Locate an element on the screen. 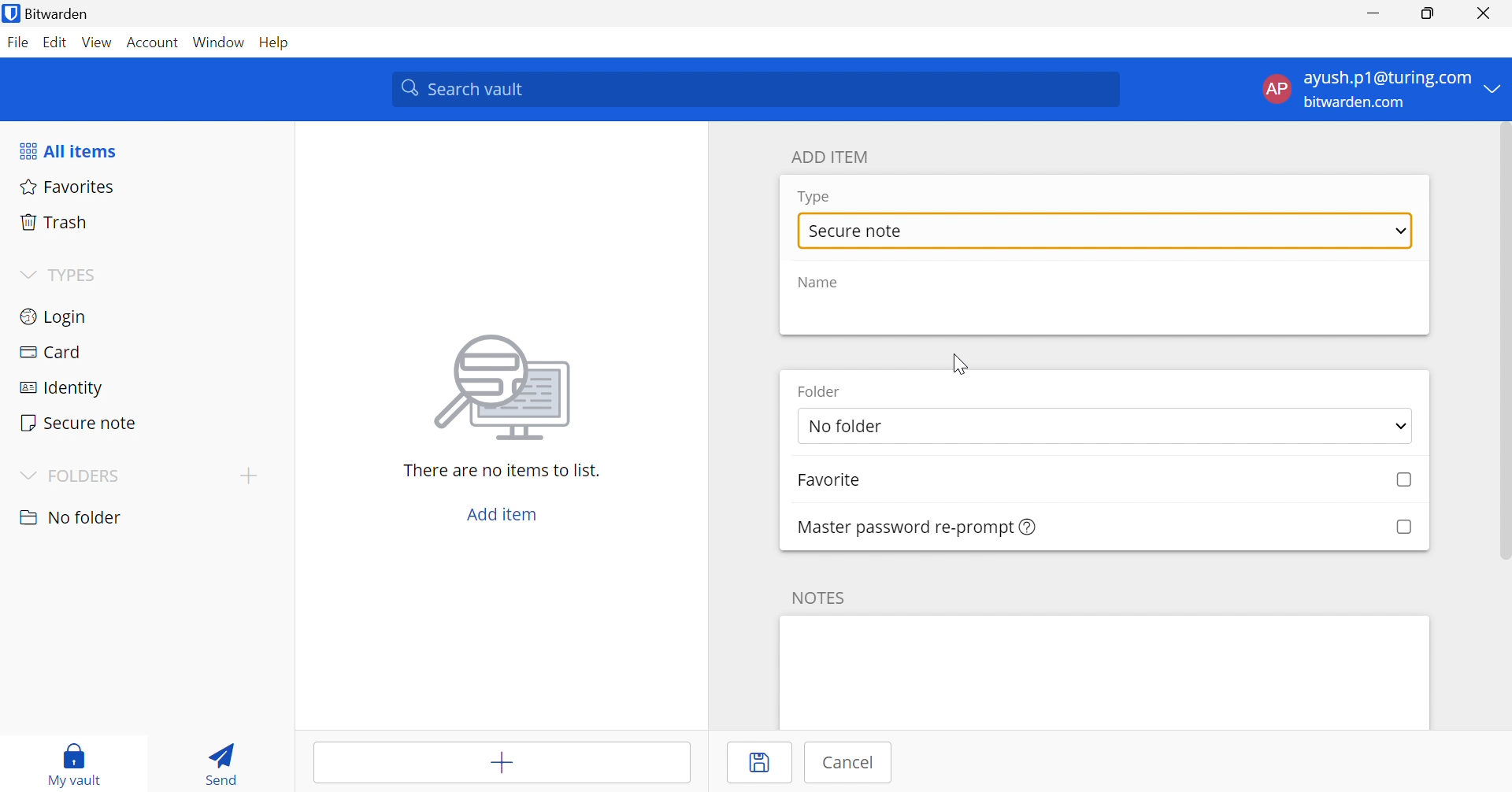  Close is located at coordinates (1483, 12).